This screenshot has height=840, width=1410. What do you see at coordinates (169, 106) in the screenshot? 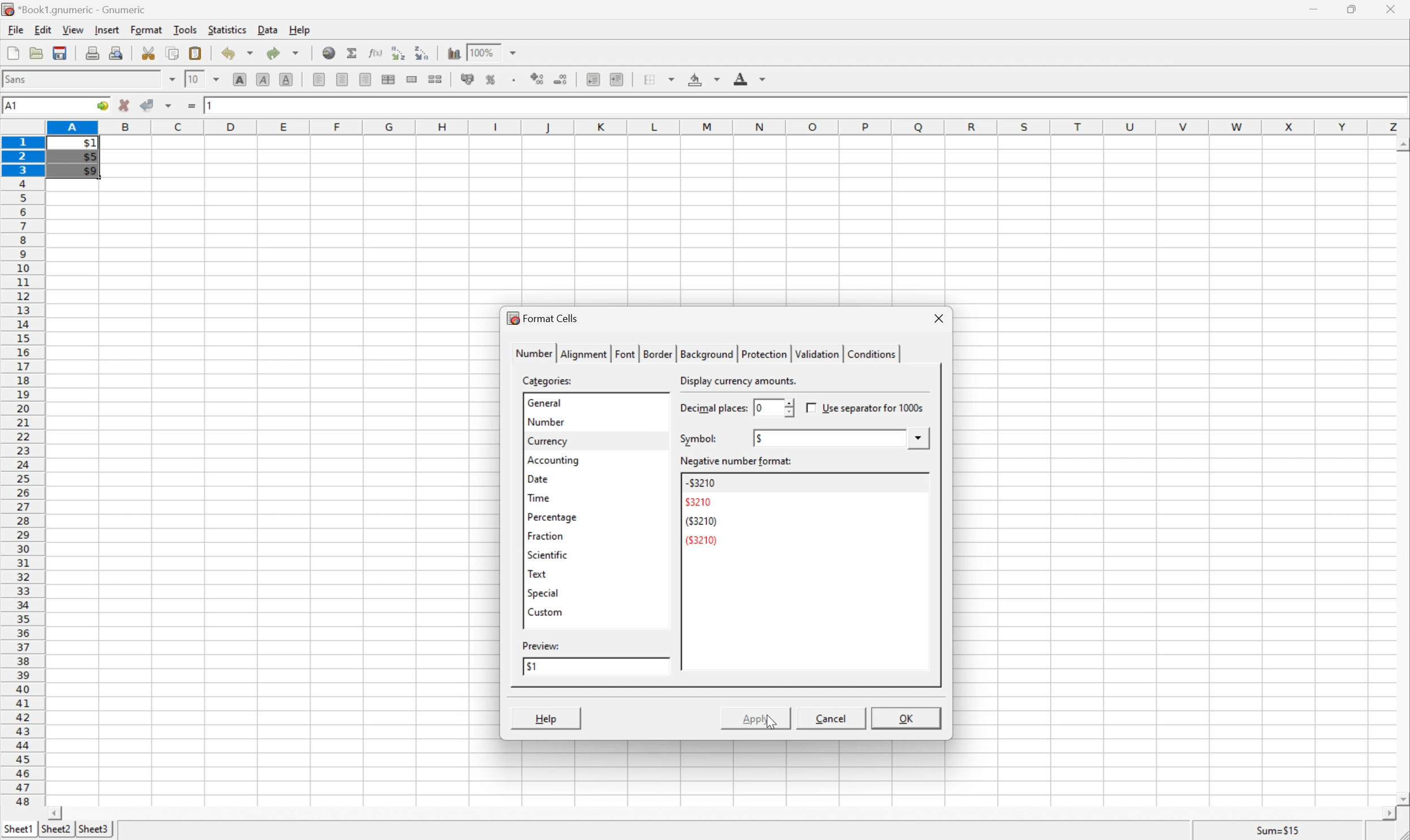
I see `accept changes across all selections` at bounding box center [169, 106].